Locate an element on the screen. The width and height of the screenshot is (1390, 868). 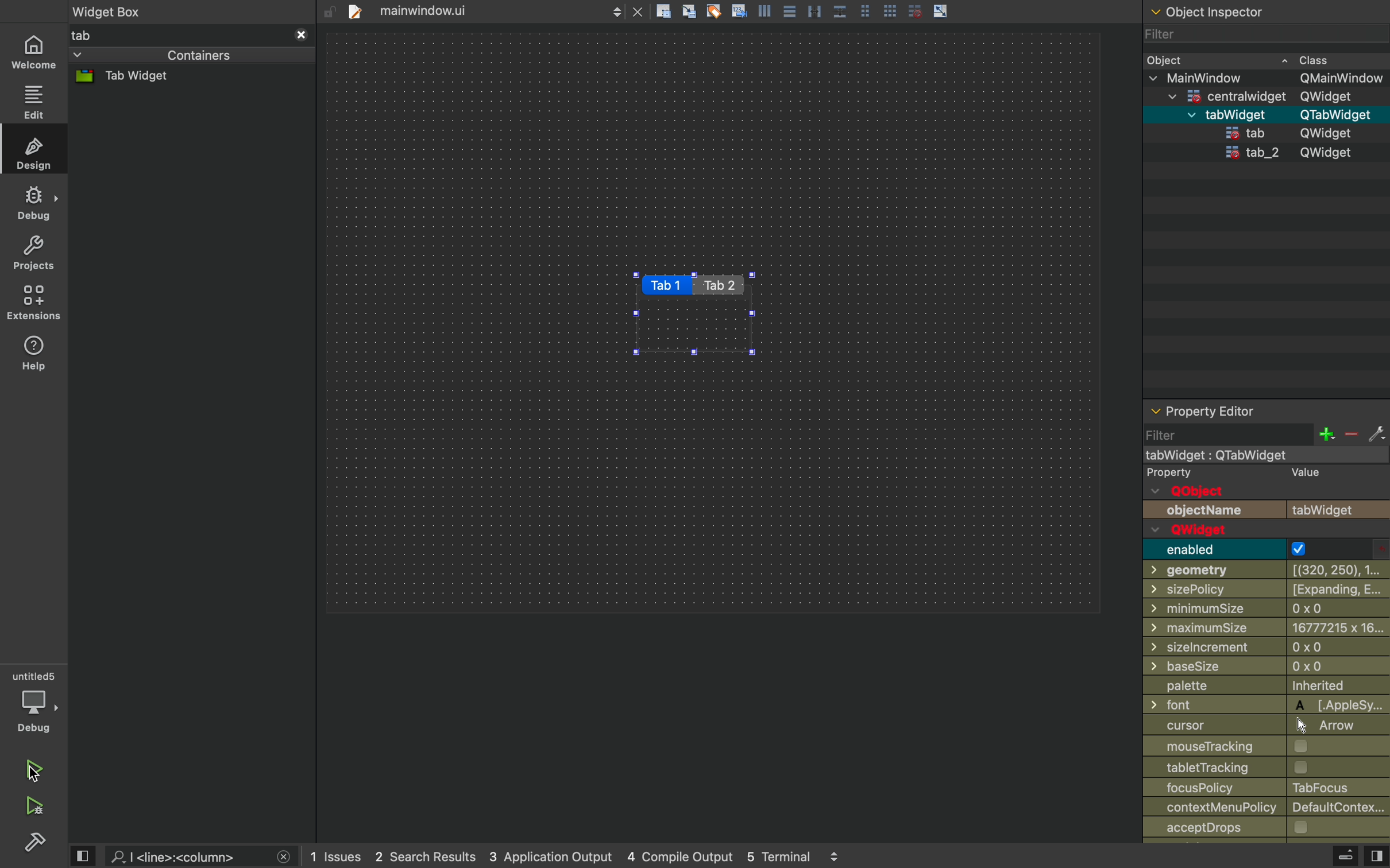
property is located at coordinates (1257, 473).